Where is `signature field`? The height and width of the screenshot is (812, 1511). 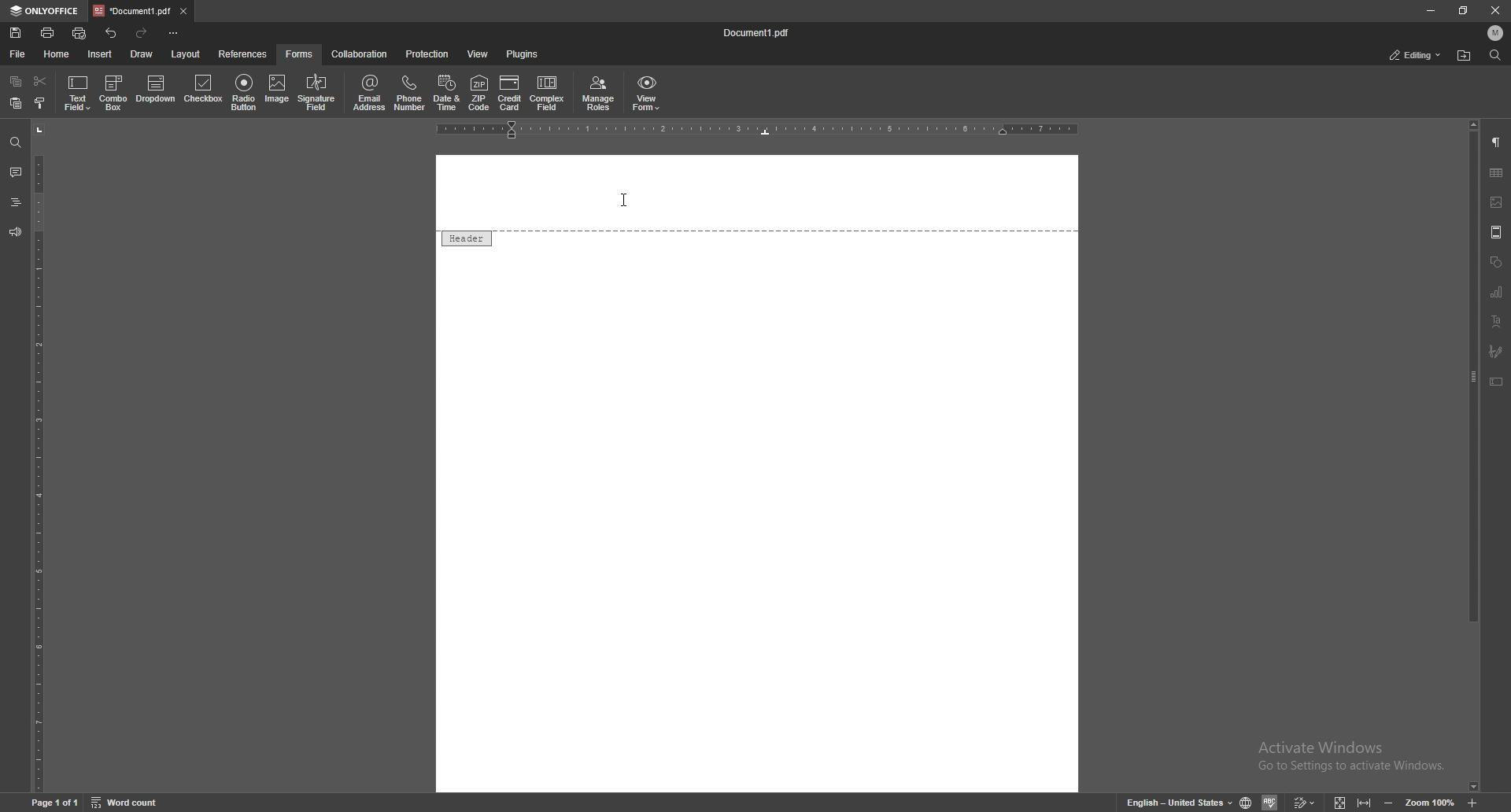 signature field is located at coordinates (317, 93).